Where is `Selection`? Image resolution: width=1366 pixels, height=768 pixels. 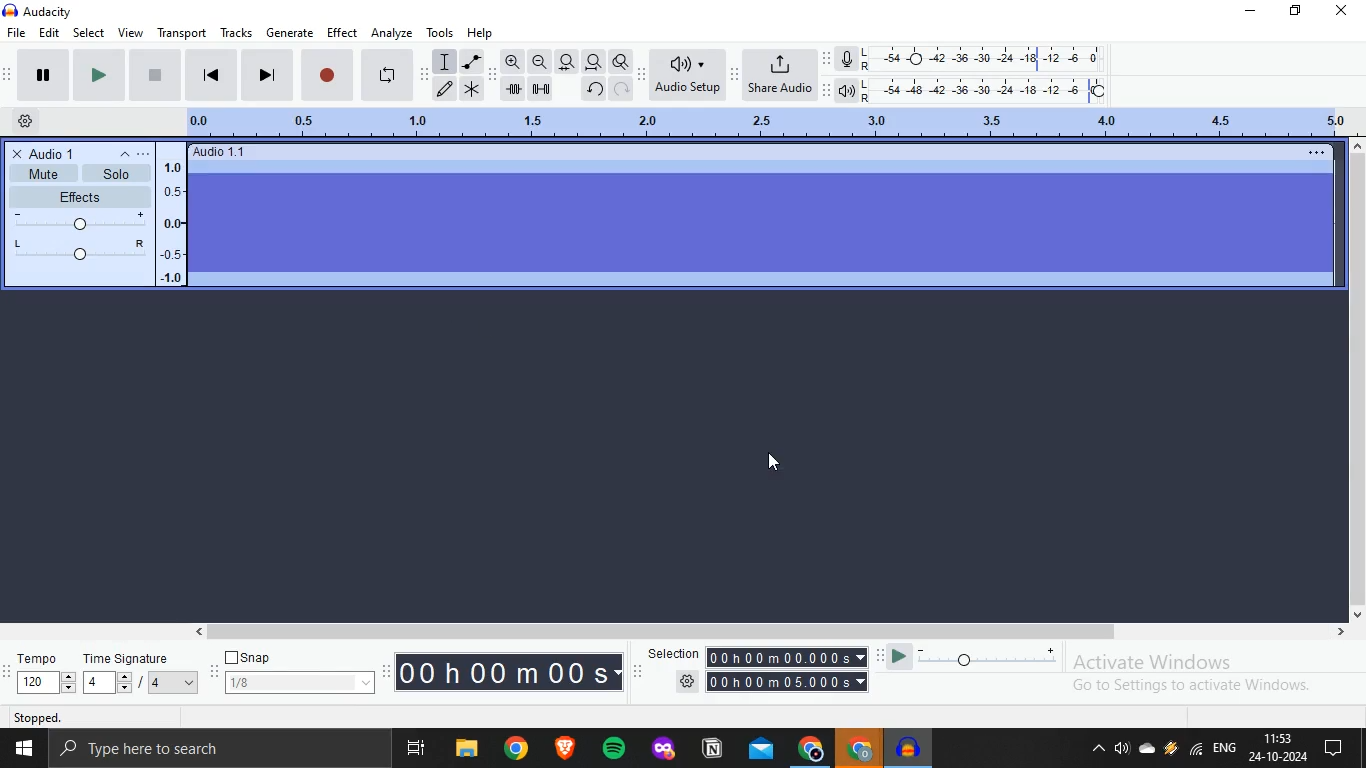 Selection is located at coordinates (755, 658).